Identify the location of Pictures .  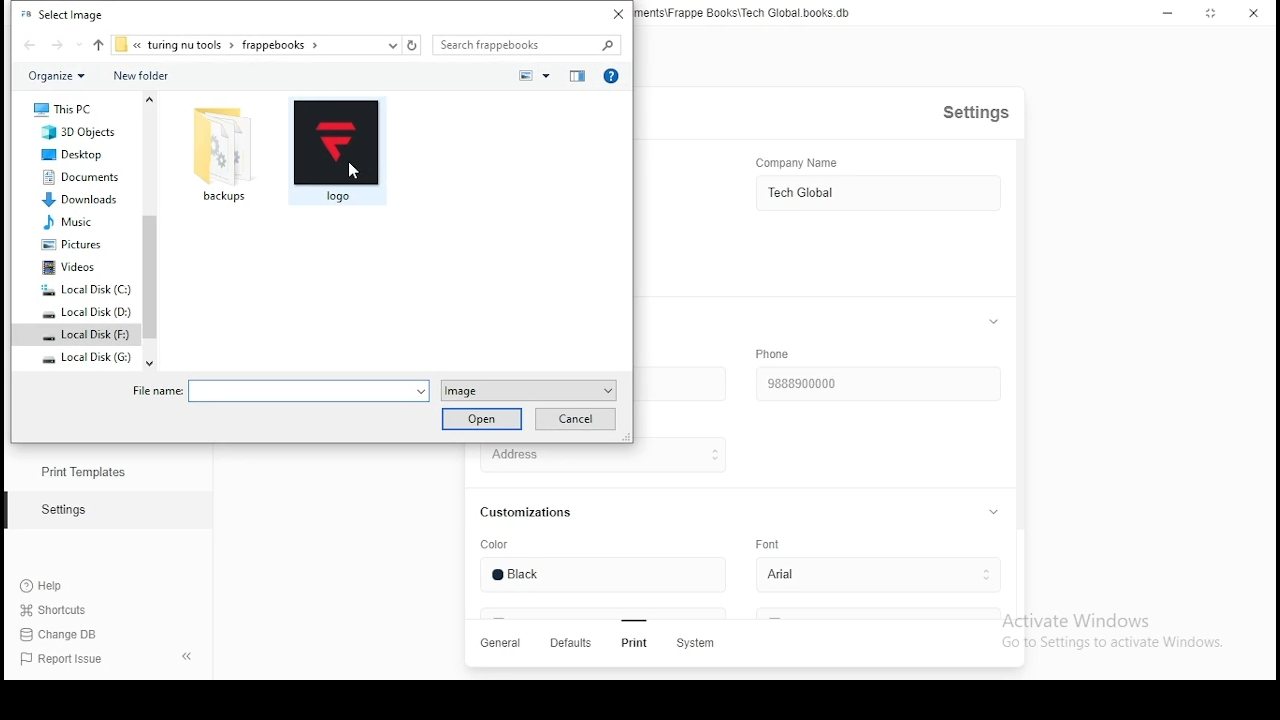
(76, 244).